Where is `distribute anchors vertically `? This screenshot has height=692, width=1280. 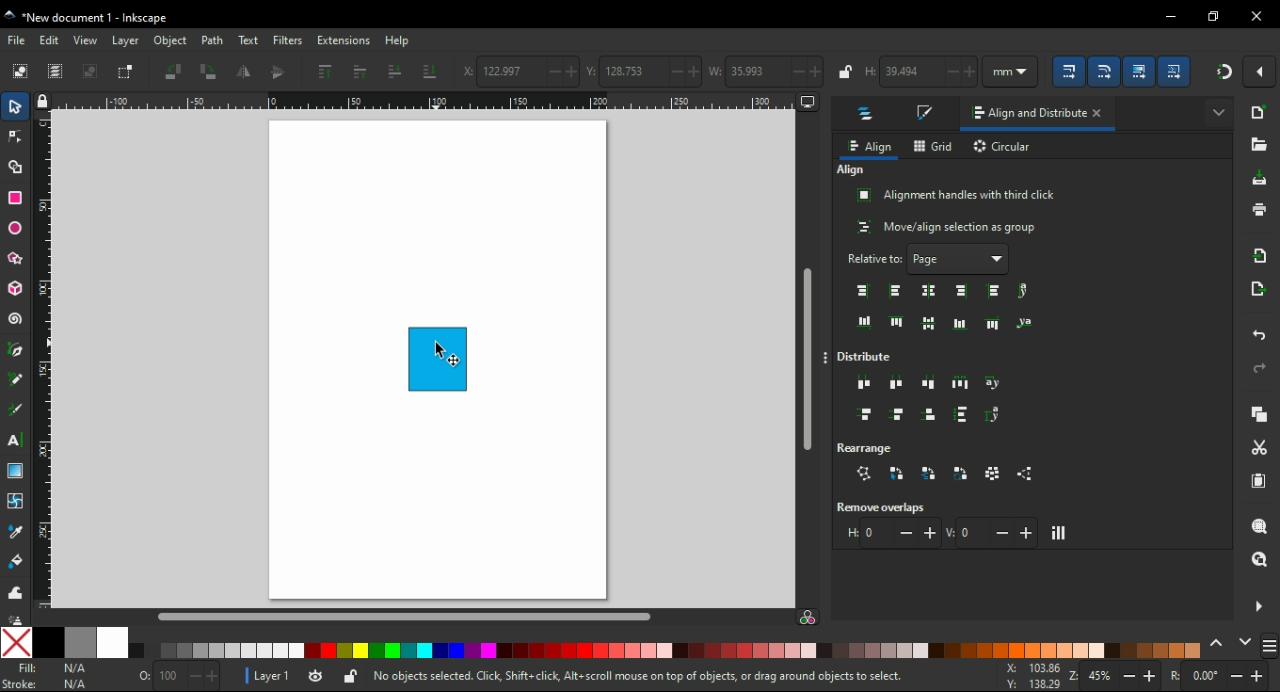
distribute anchors vertically  is located at coordinates (999, 415).